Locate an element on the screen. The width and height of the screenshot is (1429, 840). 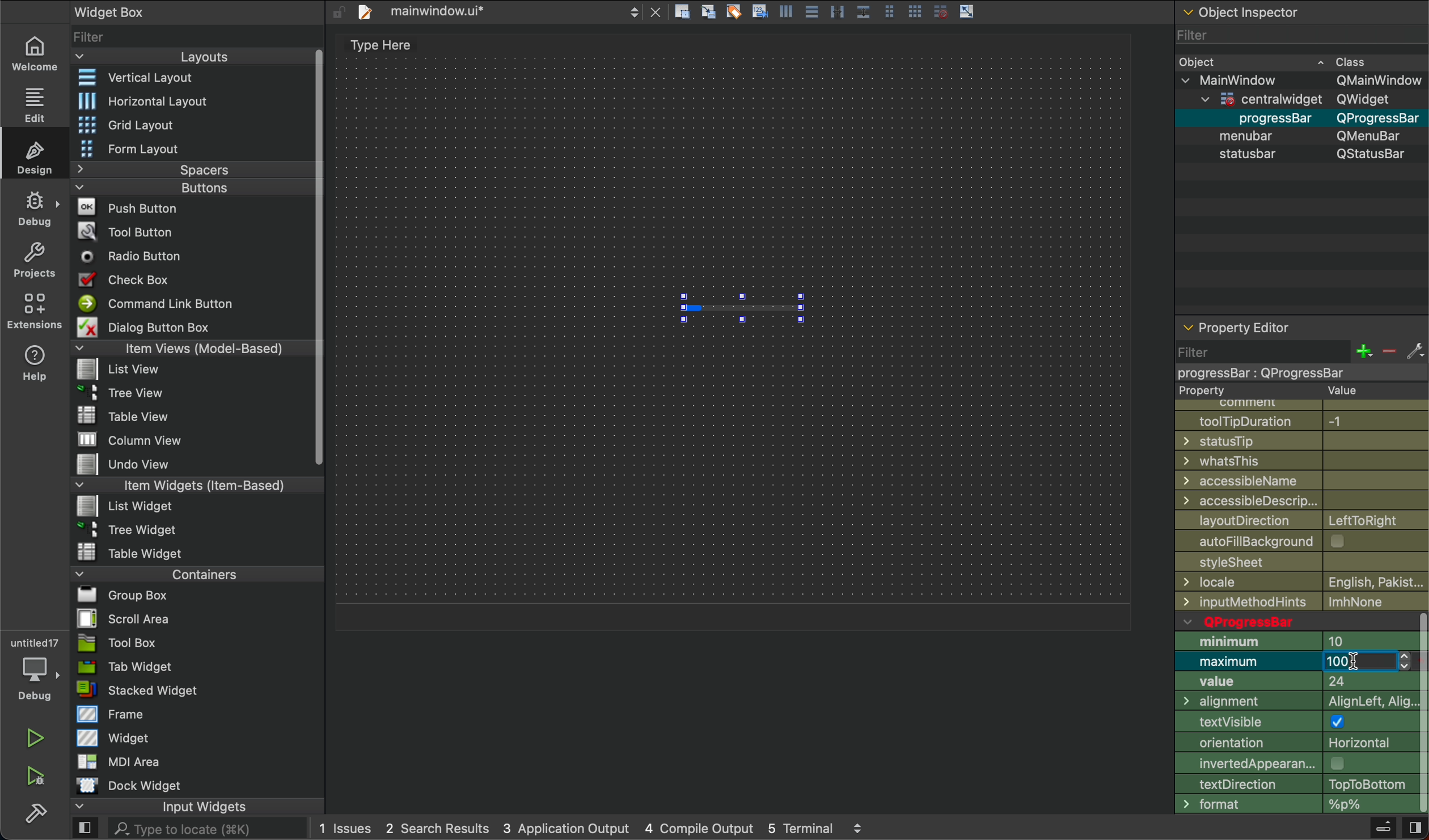
autofill is located at coordinates (1307, 539).